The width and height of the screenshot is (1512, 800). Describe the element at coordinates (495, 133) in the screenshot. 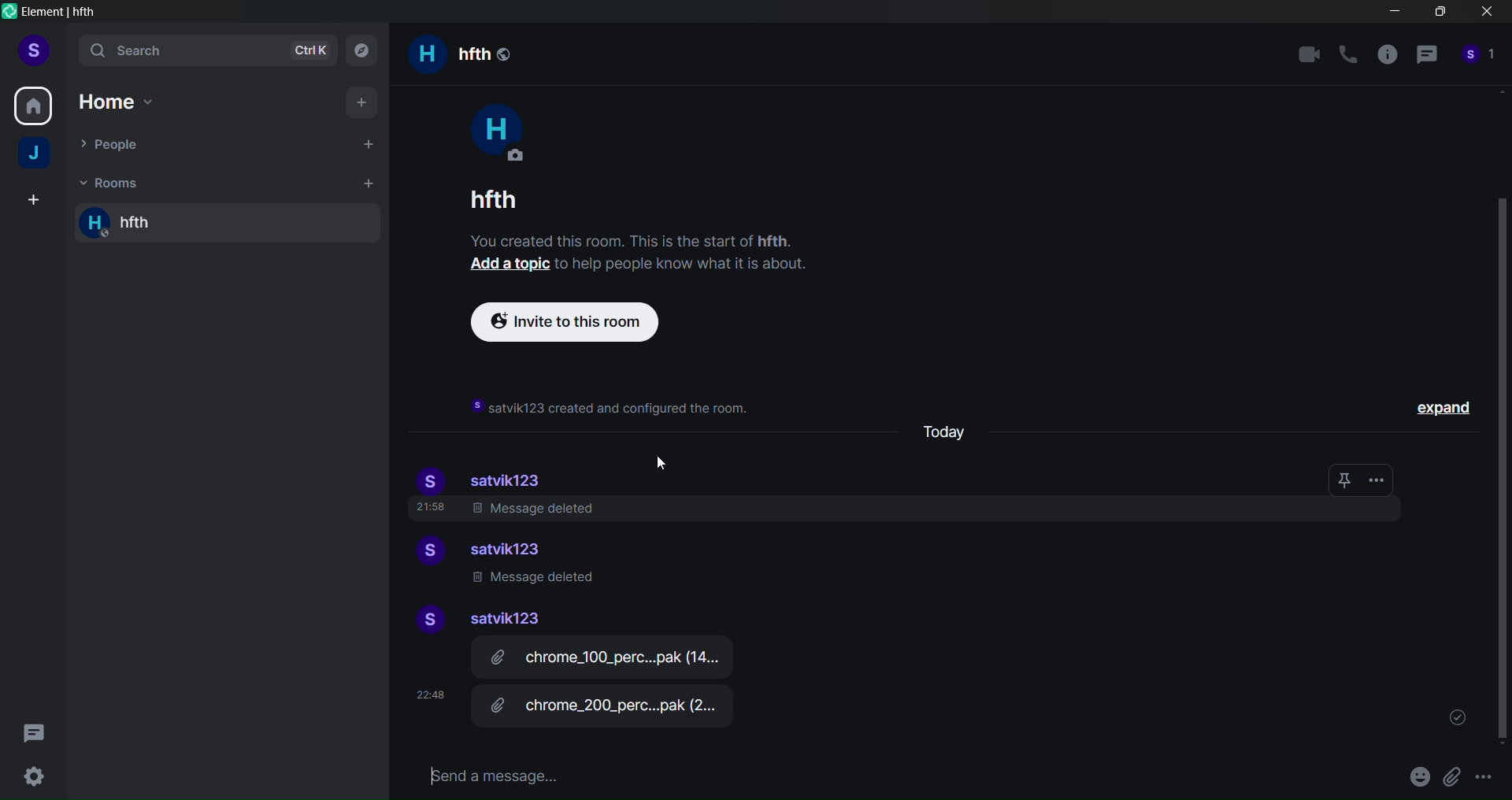

I see `User` at that location.